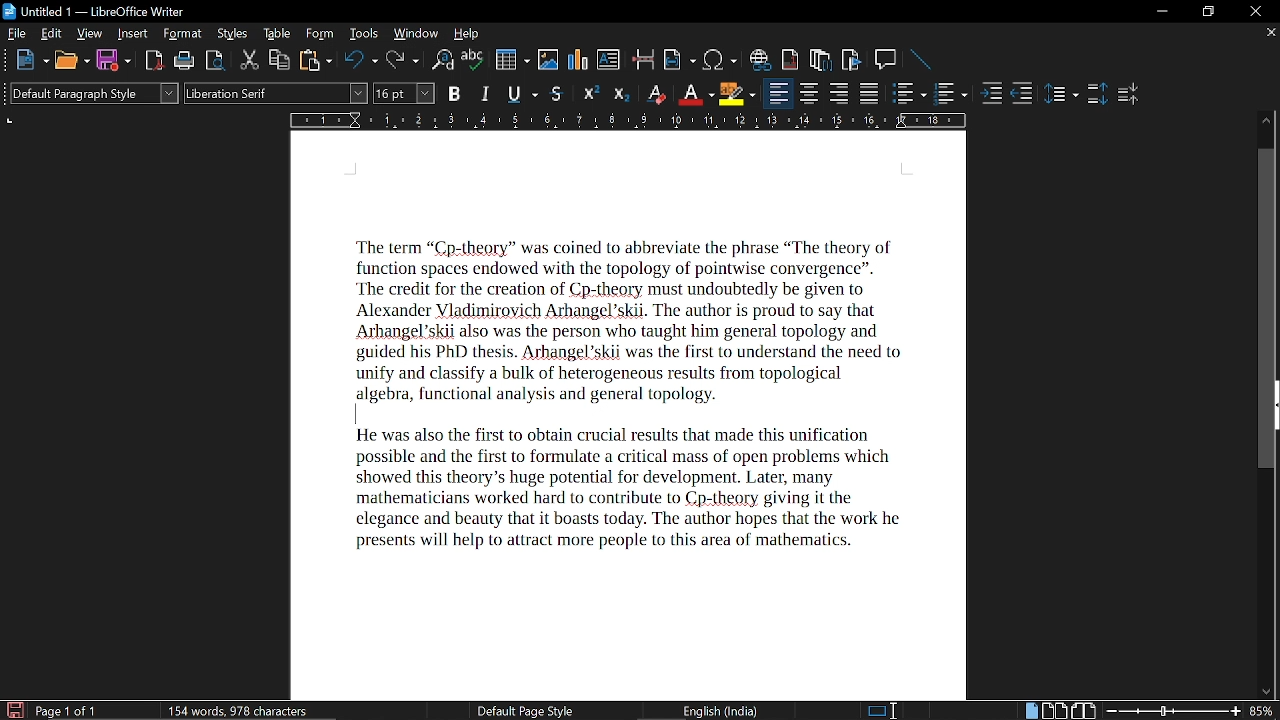  I want to click on The term “Cp-thepry” was coined to abbreviate the phrase “The theory of
function spaces endowed with the topology of pointwise convergence”.
“The credit for the creation of Cp-theory must undoubtedly be given to
Alexander Vladimirovich Arhangel’skii. The author is proud to say that
Arhangel’skii also was the person who taught him general topology and
guided his PhD thesis. Arhangel’skii was the first to understand the need to
unify and classify a bulk of heterogeneous results from topological
algebra, functional analysis and general topology., so click(640, 318).